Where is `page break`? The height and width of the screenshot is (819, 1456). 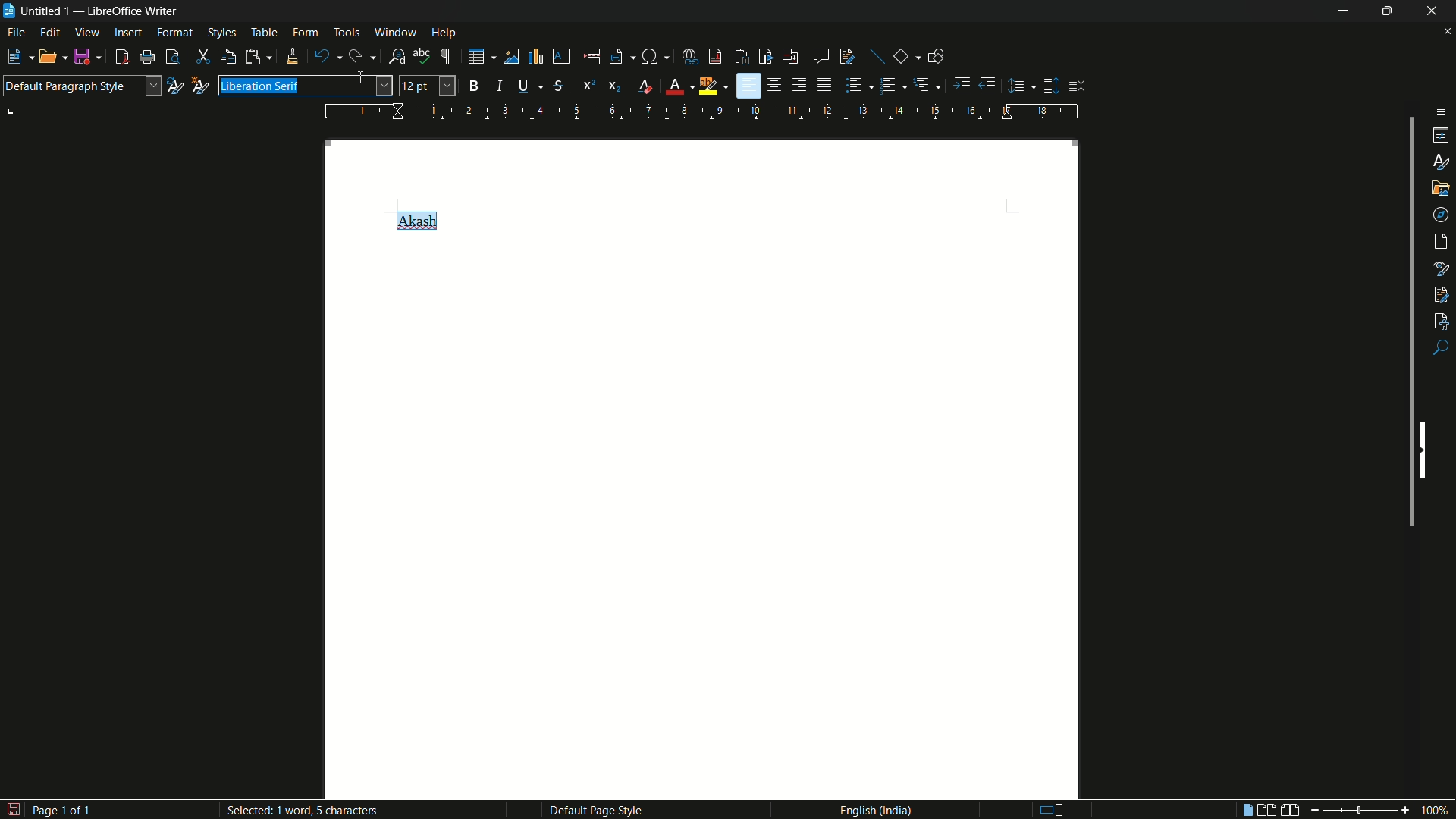
page break is located at coordinates (591, 56).